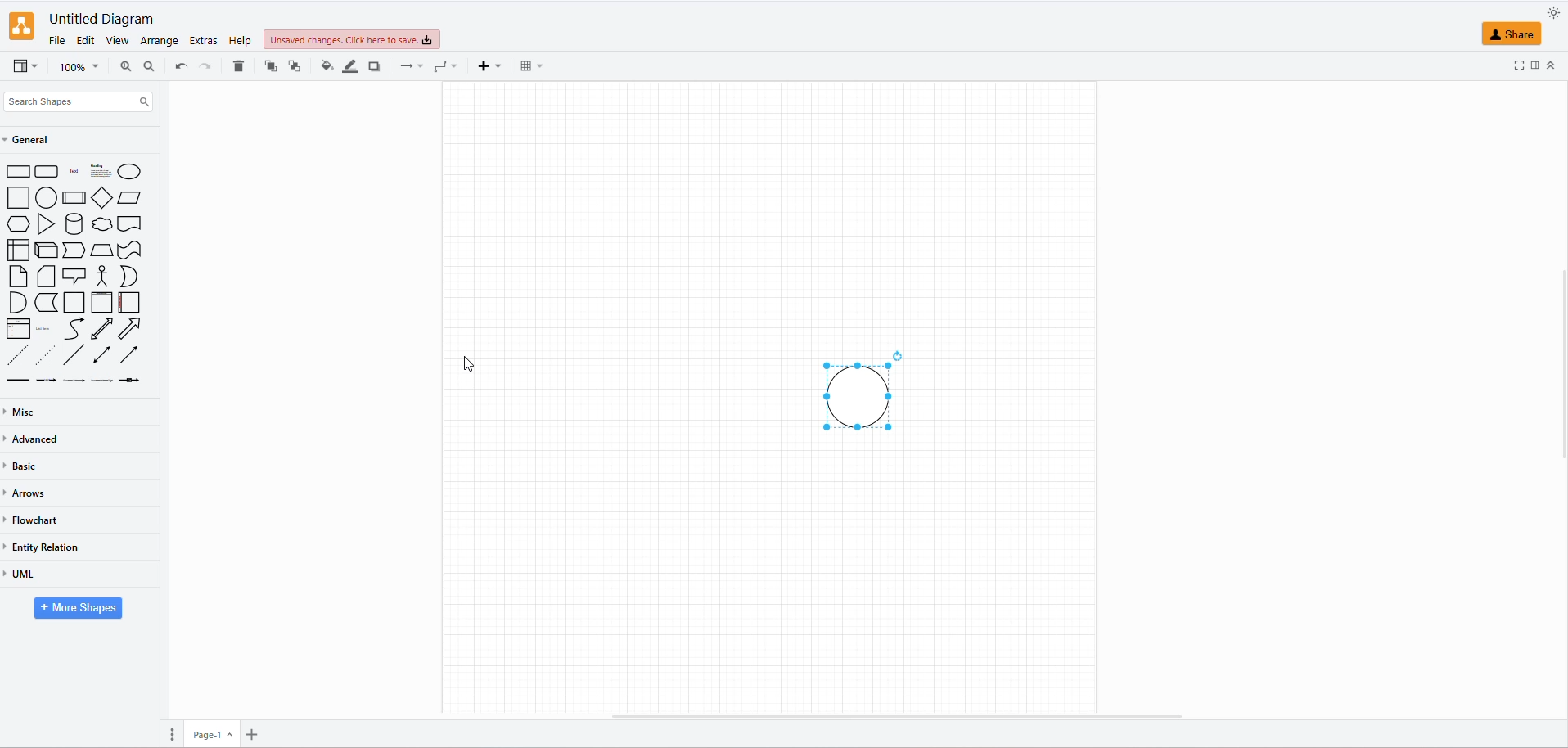 This screenshot has height=748, width=1568. Describe the element at coordinates (95, 383) in the screenshot. I see `arrow` at that location.